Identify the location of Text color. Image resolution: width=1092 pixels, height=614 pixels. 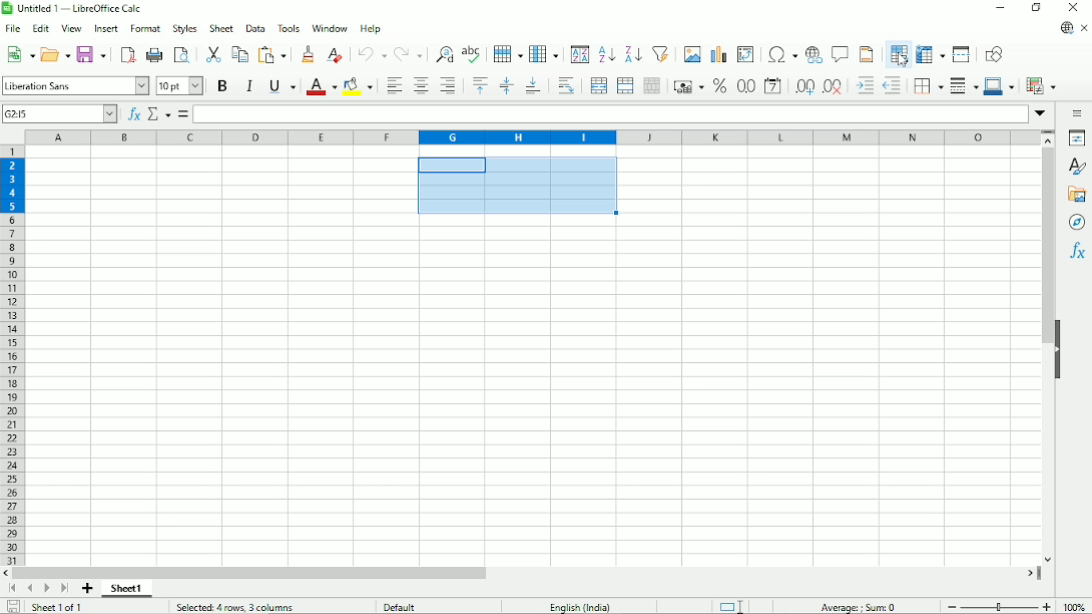
(321, 86).